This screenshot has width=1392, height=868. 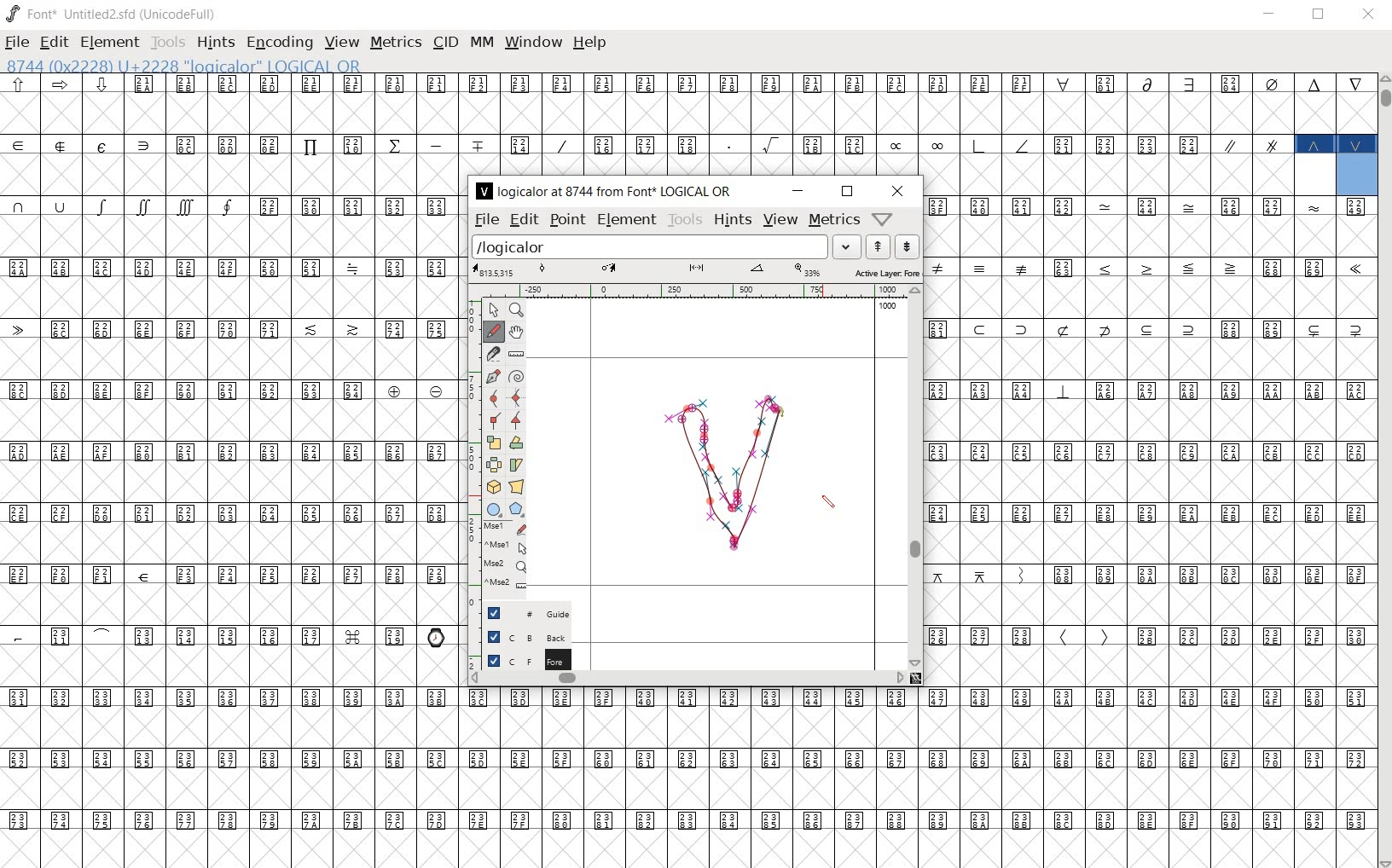 I want to click on add a curve point always either horizontal or vertical, so click(x=514, y=397).